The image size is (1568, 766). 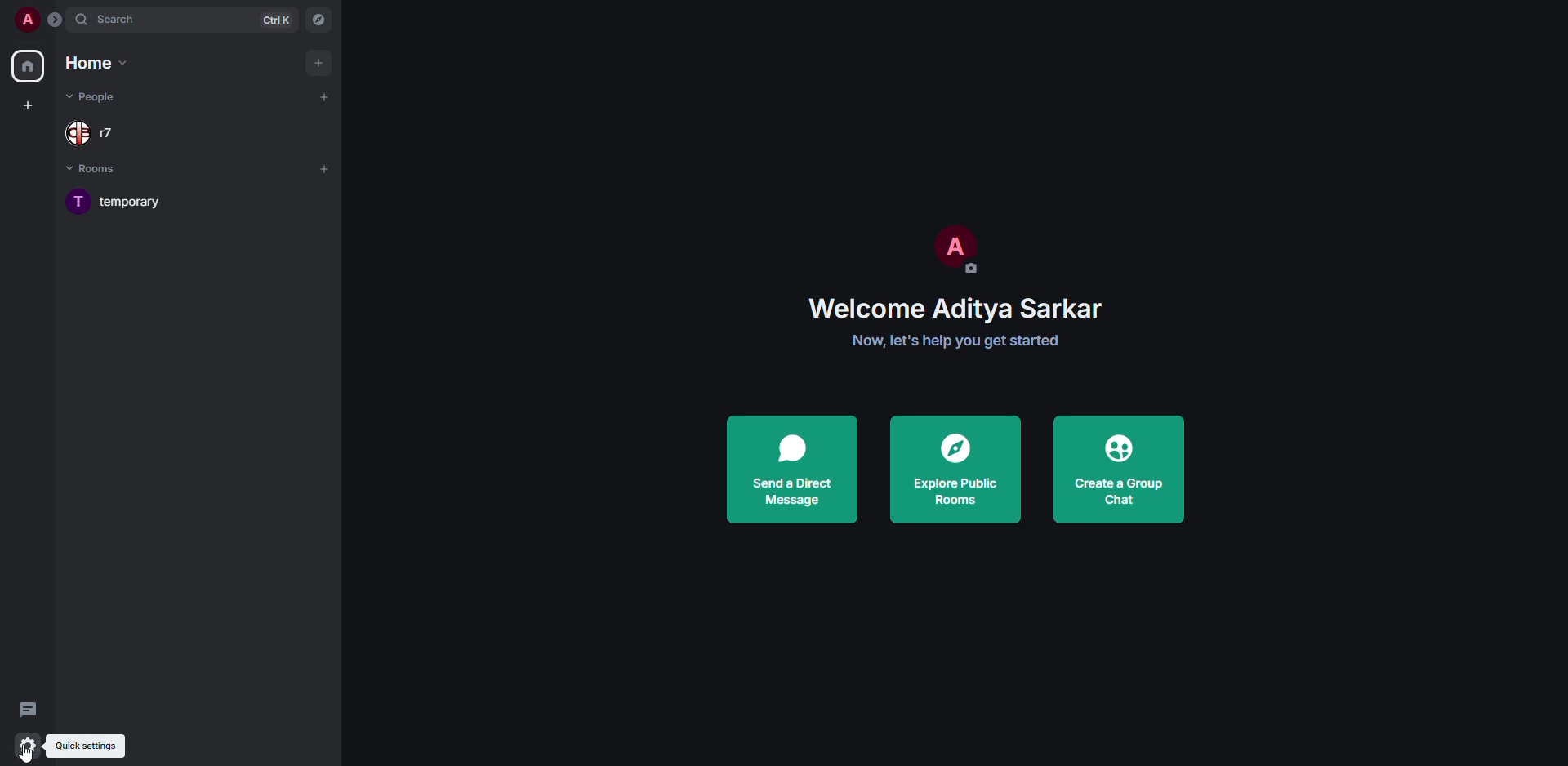 I want to click on get started, so click(x=962, y=341).